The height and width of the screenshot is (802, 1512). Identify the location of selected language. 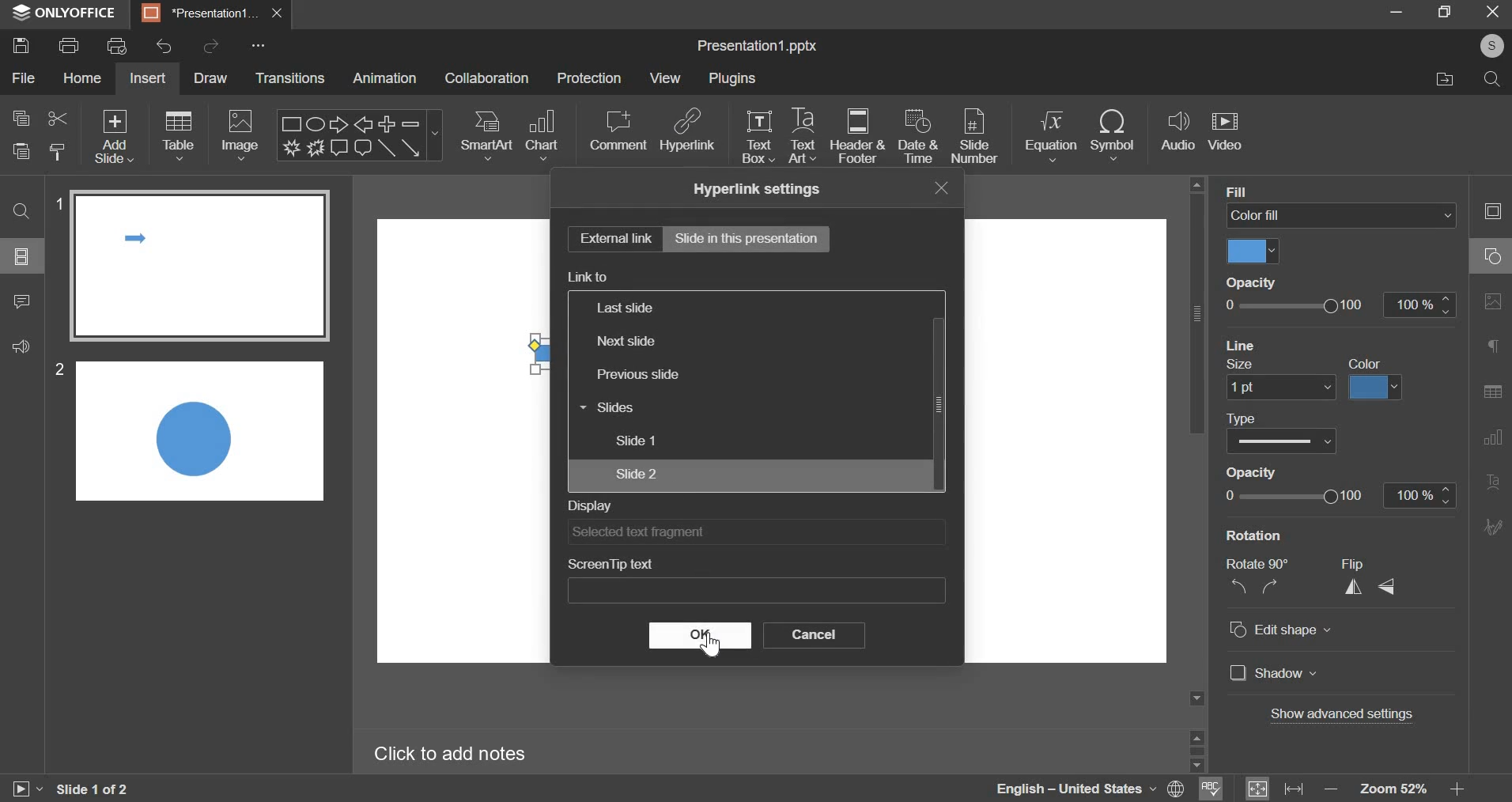
(1090, 789).